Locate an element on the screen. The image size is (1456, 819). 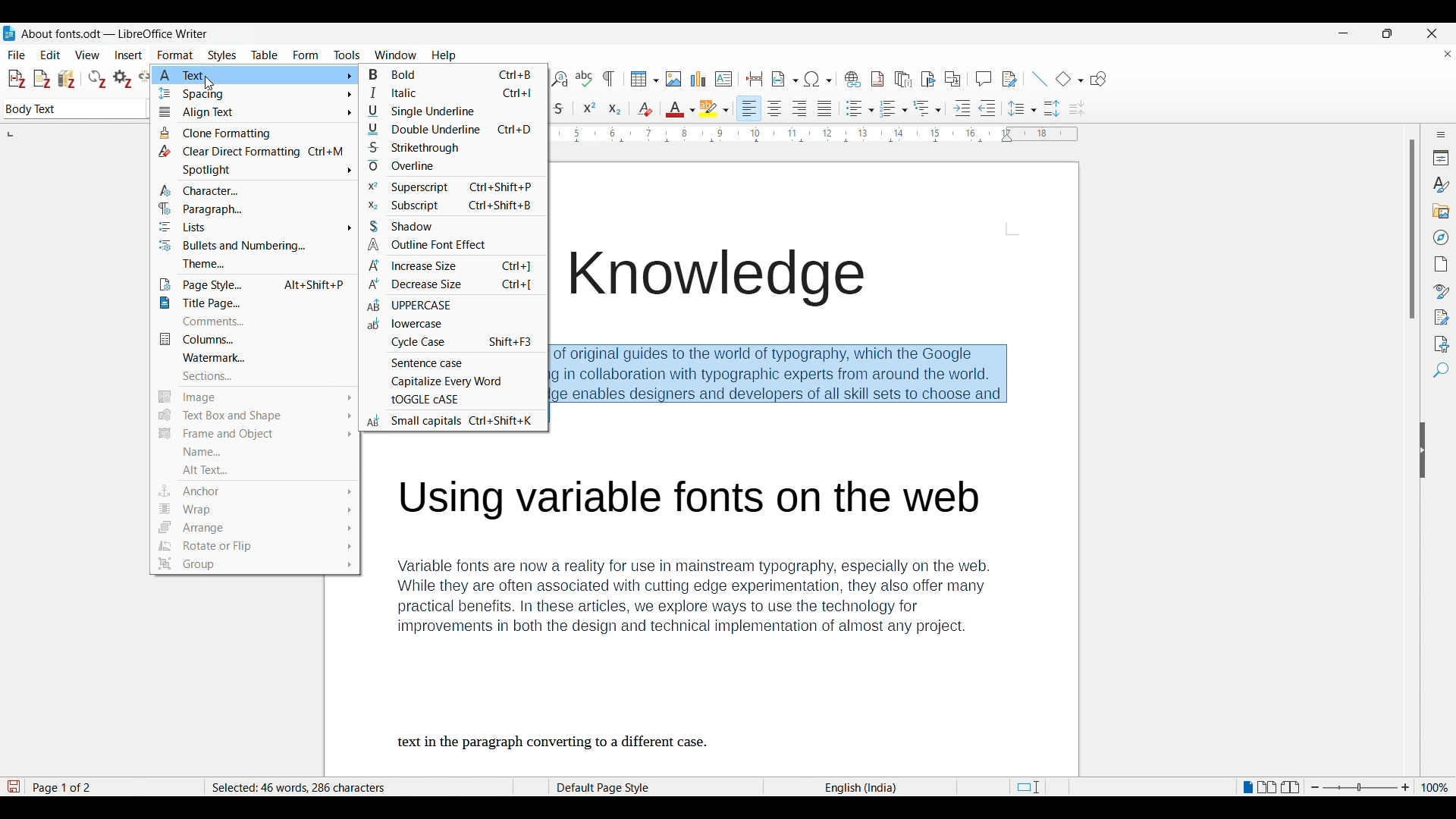
Strikethrough is located at coordinates (450, 146).